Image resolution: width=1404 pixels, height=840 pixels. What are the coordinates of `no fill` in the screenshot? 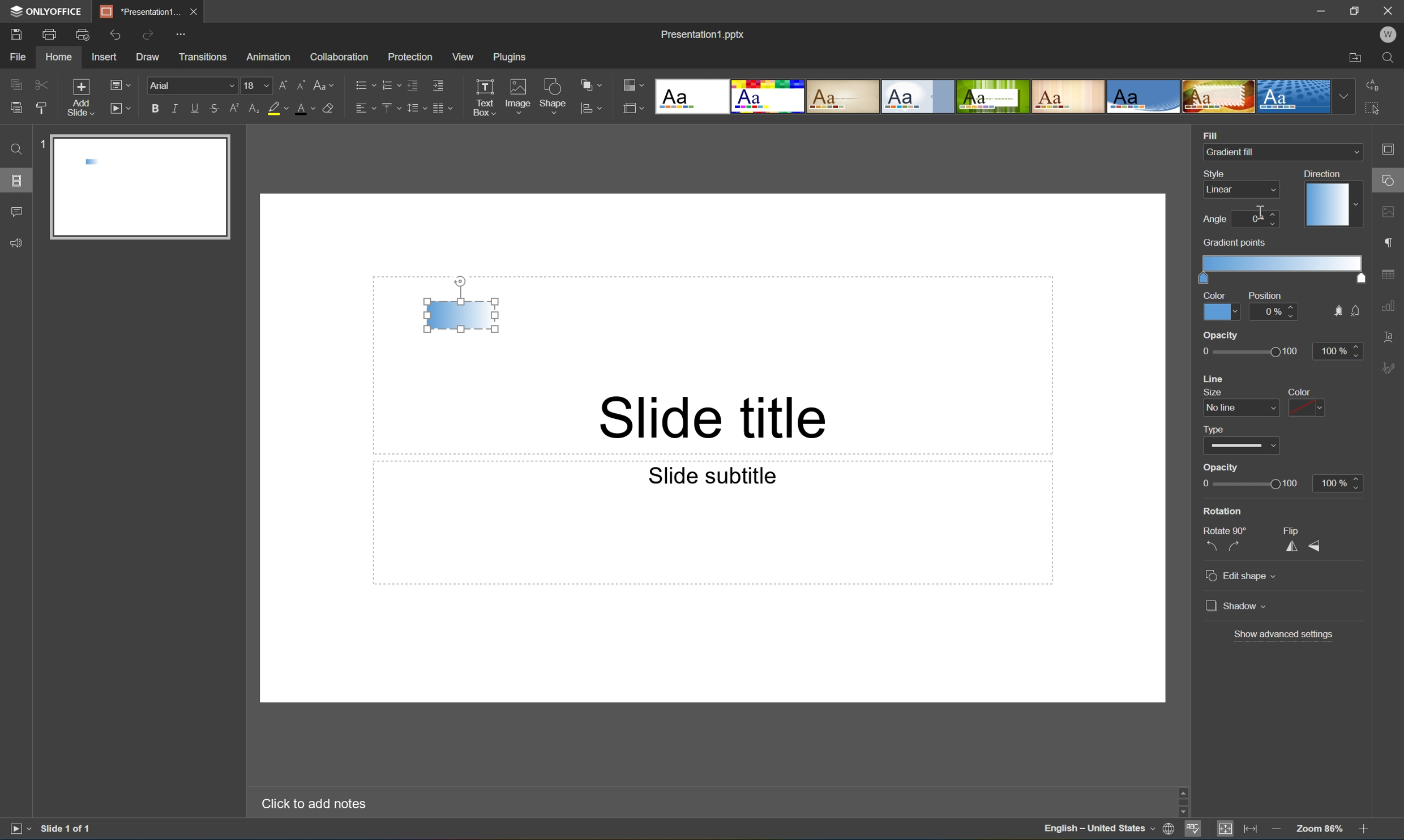 It's located at (1356, 311).